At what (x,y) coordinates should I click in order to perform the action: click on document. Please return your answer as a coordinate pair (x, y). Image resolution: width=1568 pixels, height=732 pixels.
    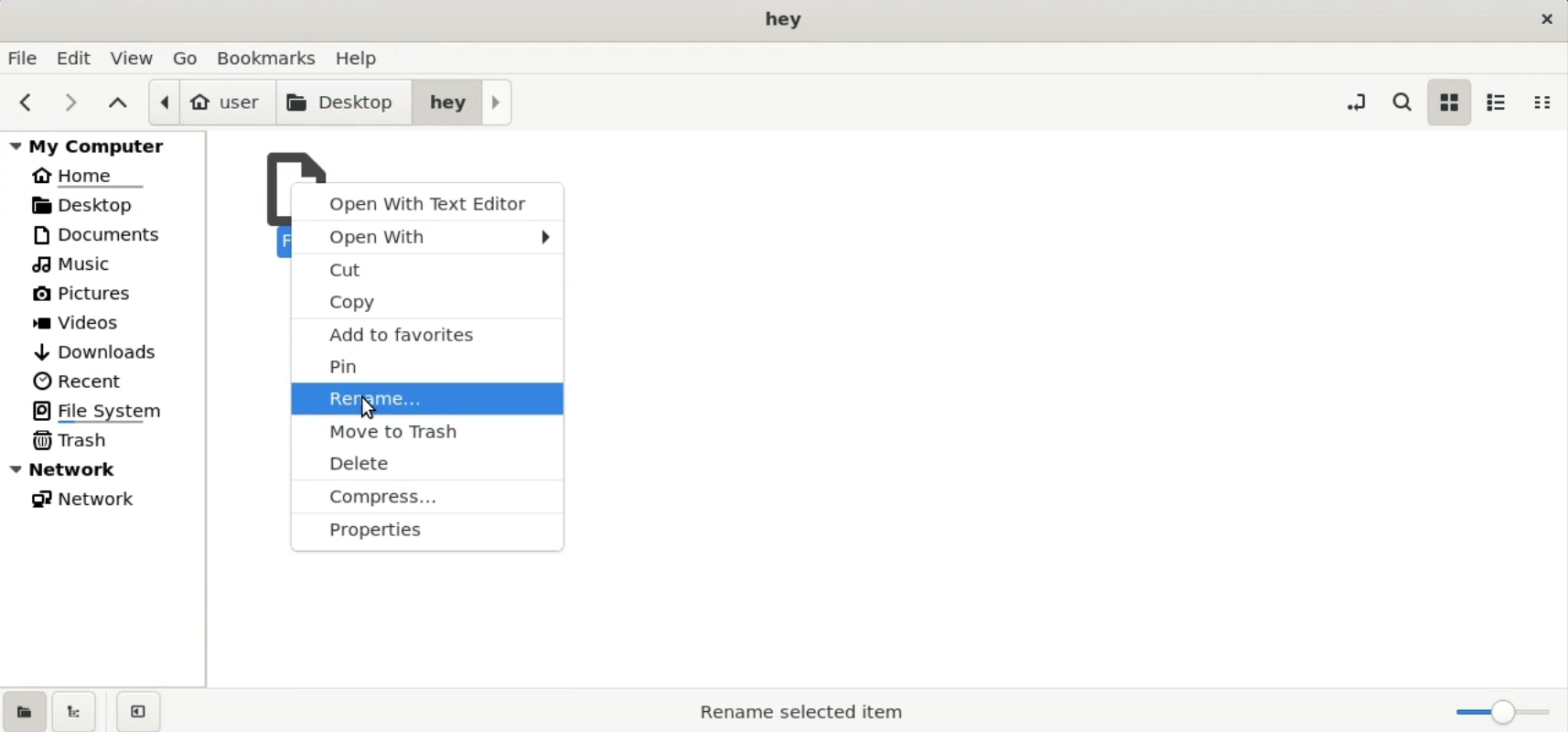
    Looking at the image, I should click on (110, 234).